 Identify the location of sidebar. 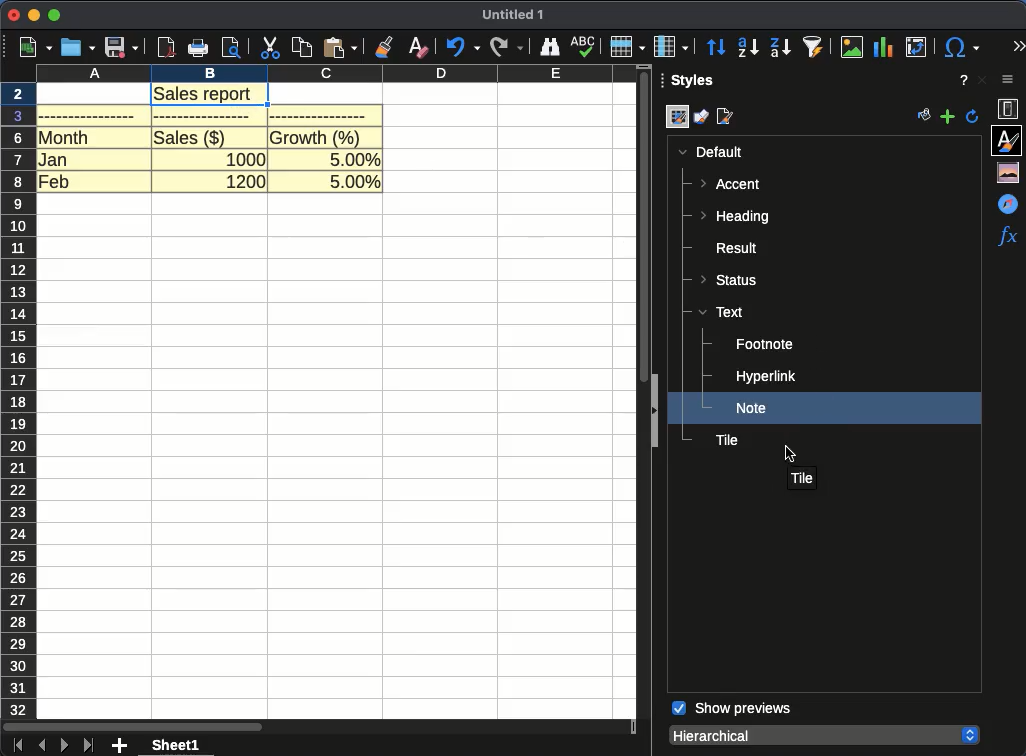
(1012, 81).